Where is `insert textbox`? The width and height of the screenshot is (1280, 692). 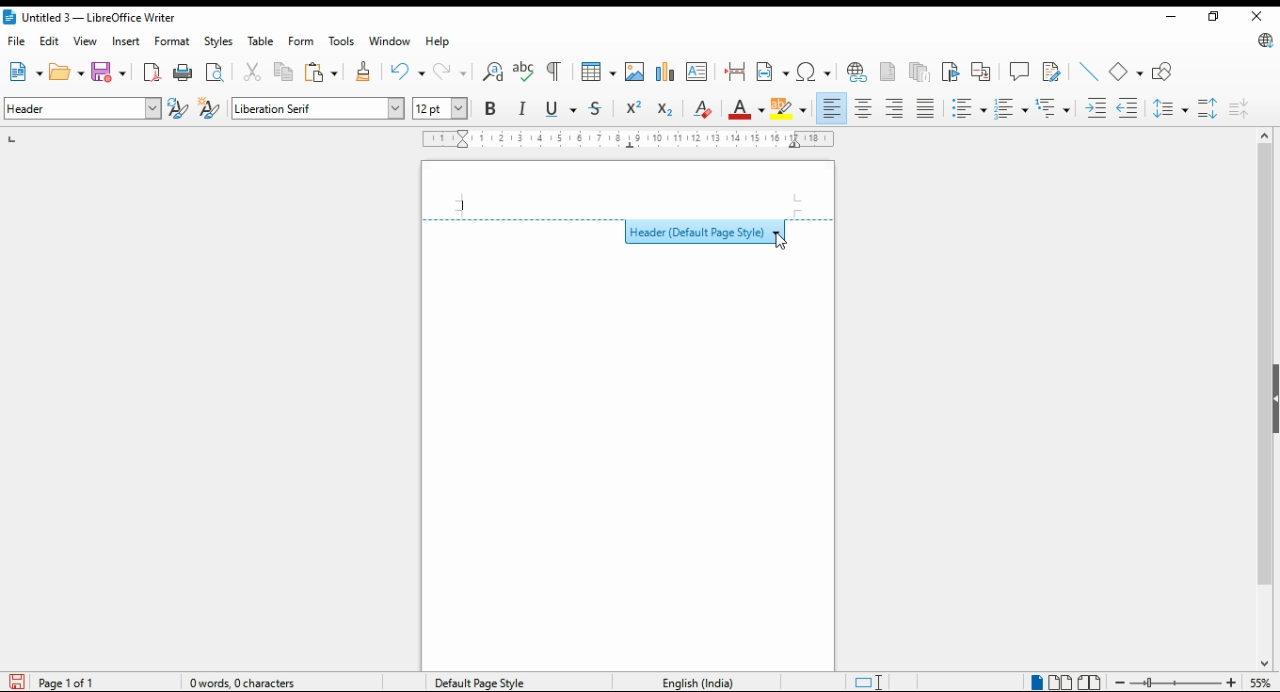 insert textbox is located at coordinates (697, 71).